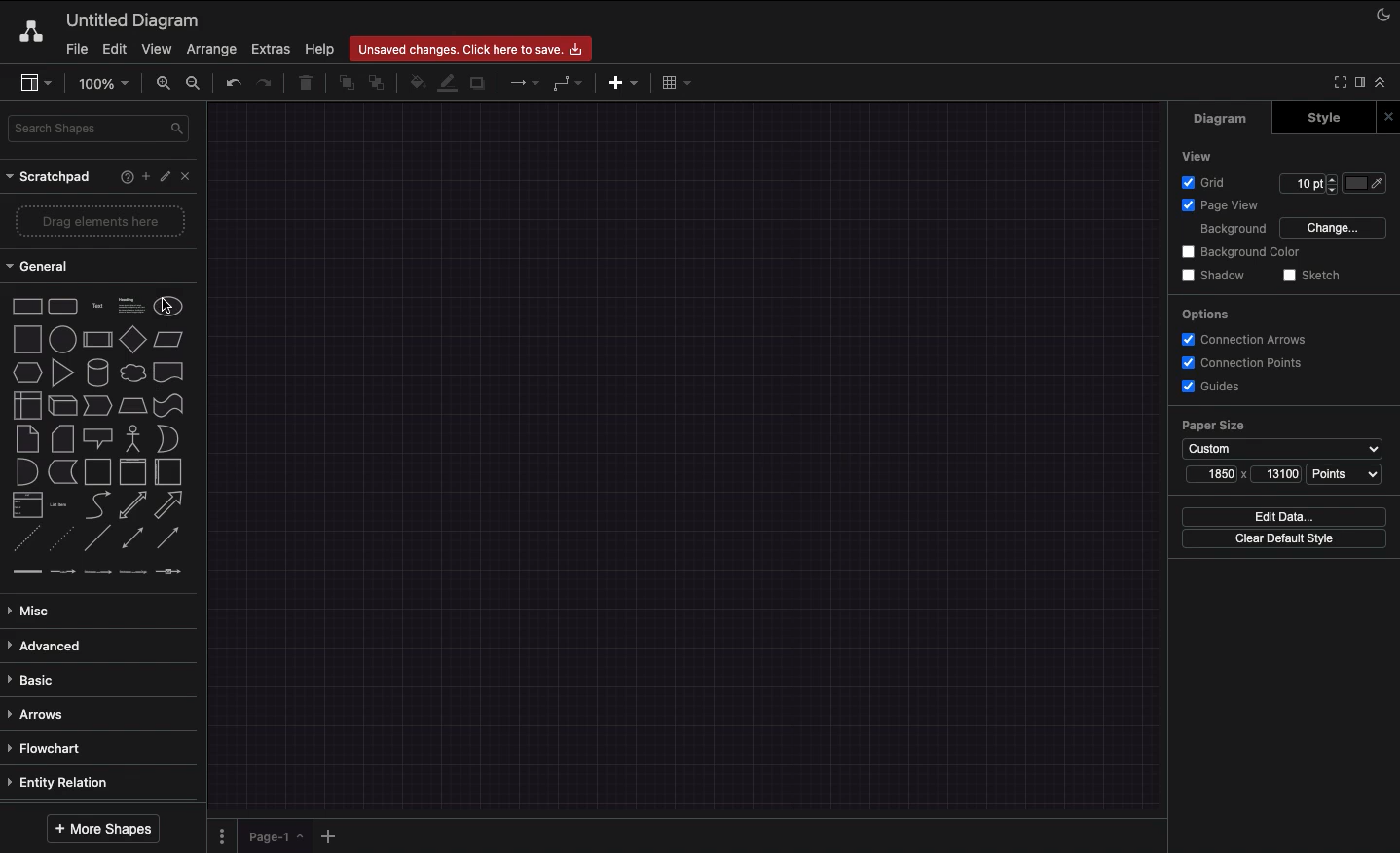 The image size is (1400, 853). I want to click on Close, so click(1391, 116).